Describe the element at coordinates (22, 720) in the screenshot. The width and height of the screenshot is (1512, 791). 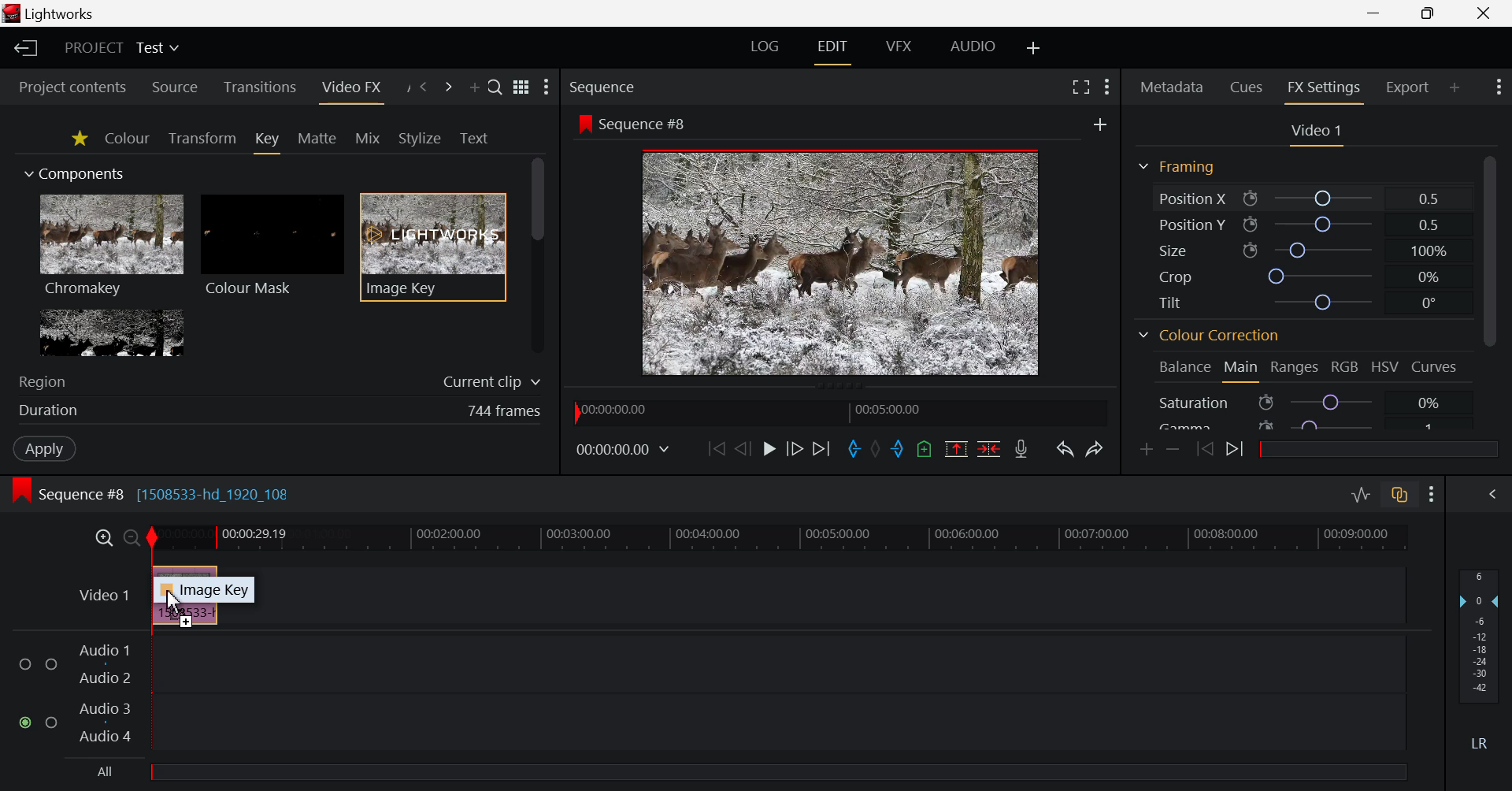
I see `checked checkbox` at that location.